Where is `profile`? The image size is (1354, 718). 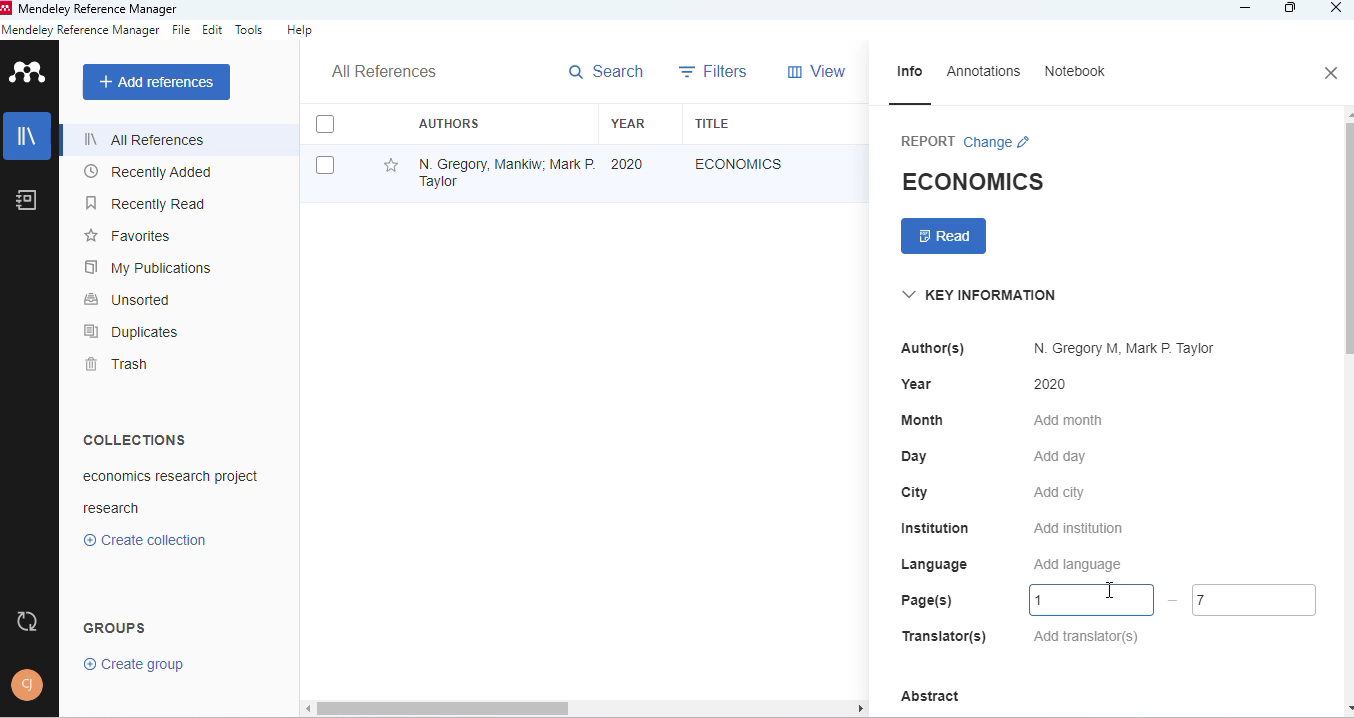
profile is located at coordinates (28, 685).